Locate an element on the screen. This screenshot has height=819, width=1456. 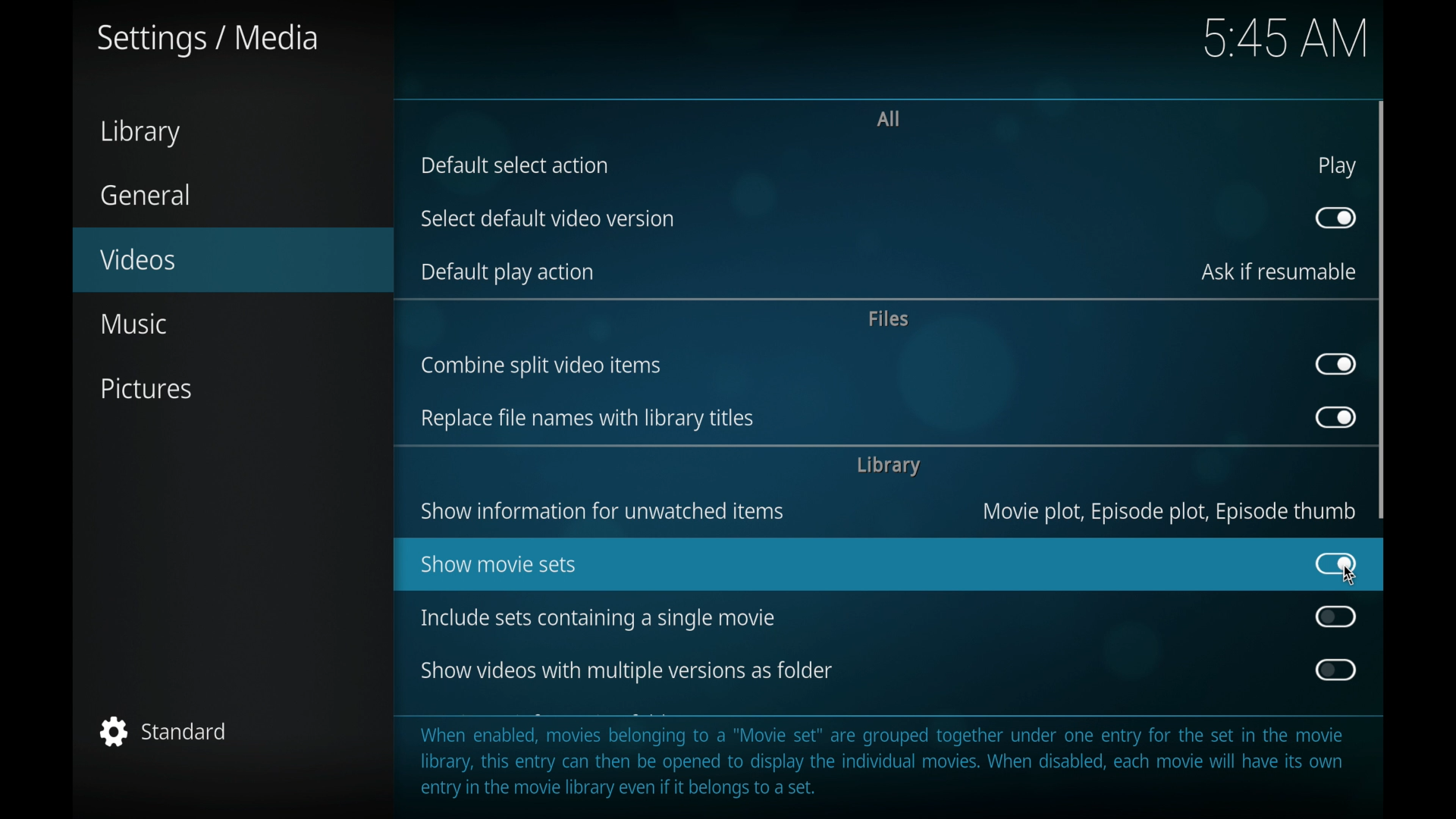
show videos is located at coordinates (626, 671).